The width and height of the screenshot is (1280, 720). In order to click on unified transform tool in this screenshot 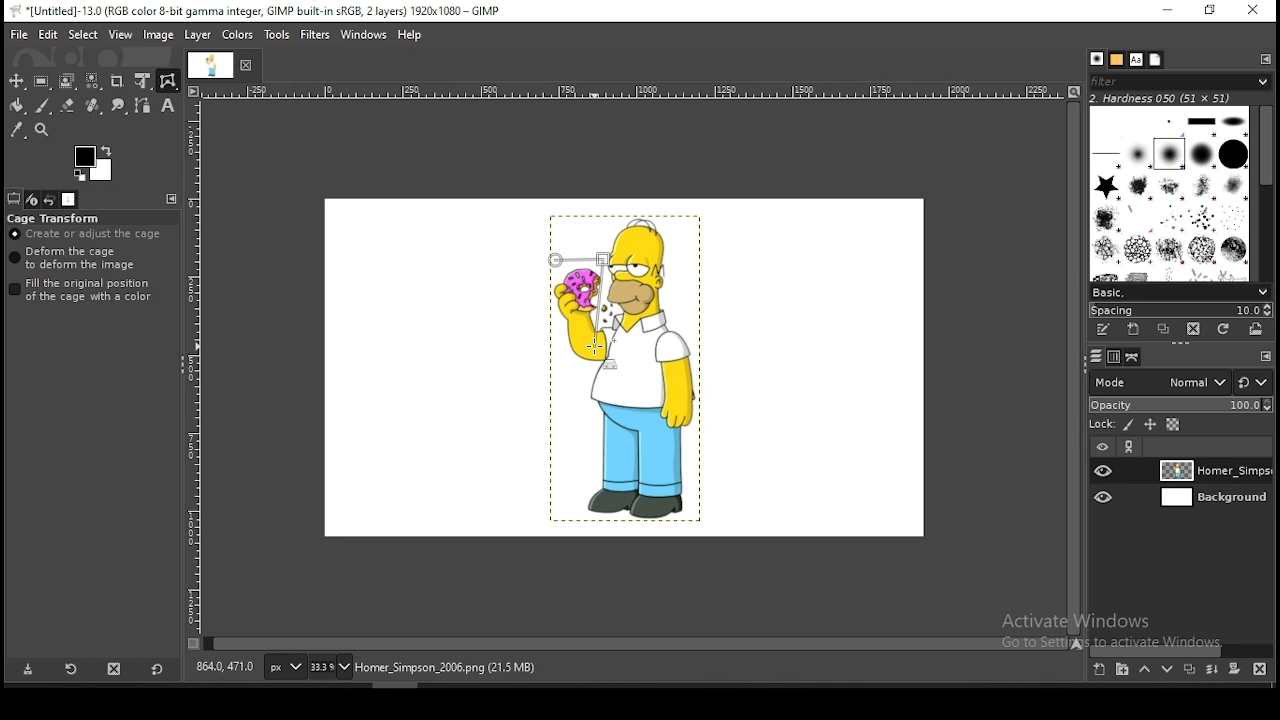, I will do `click(143, 81)`.